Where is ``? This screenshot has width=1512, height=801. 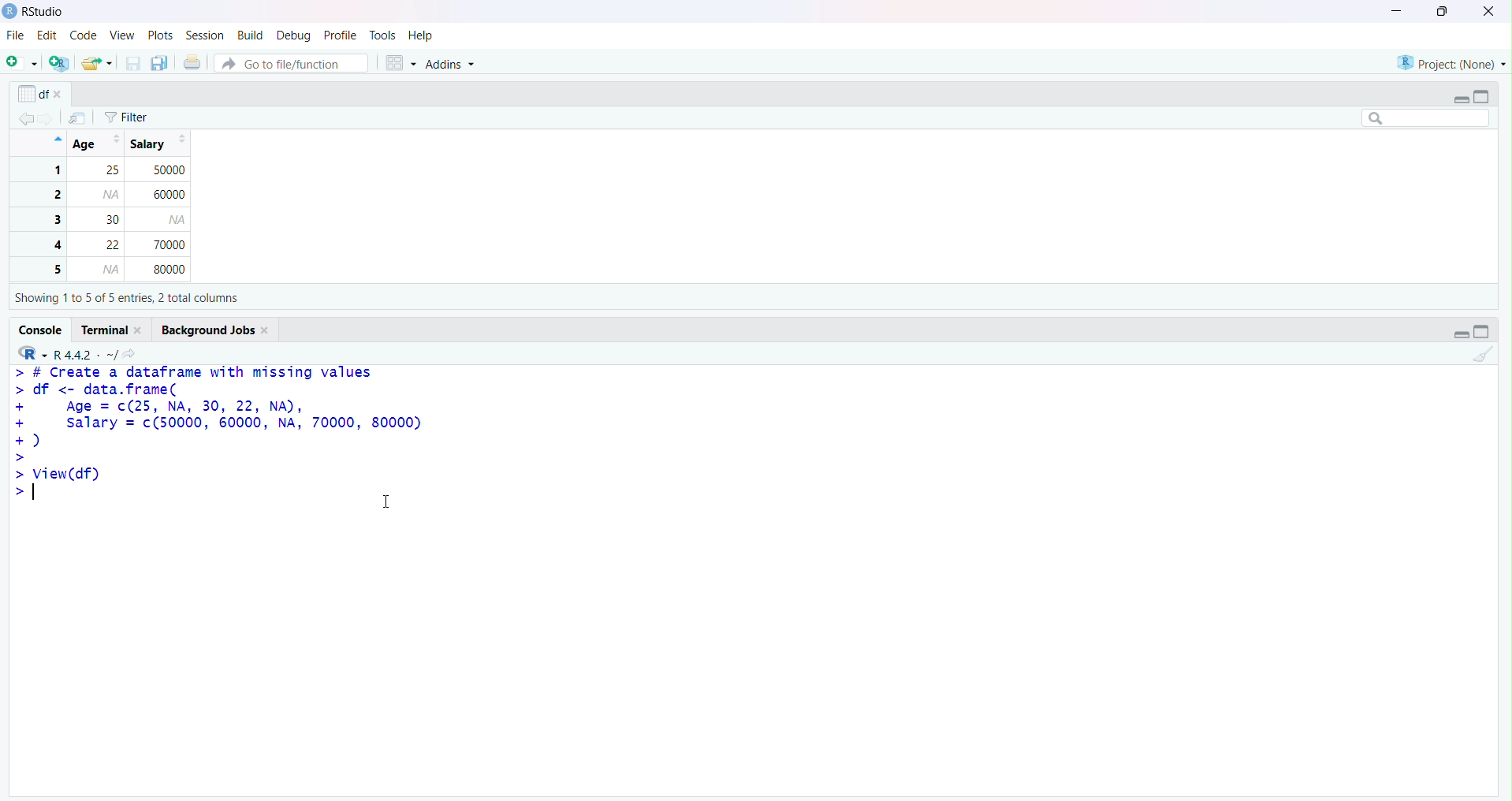  is located at coordinates (289, 60).